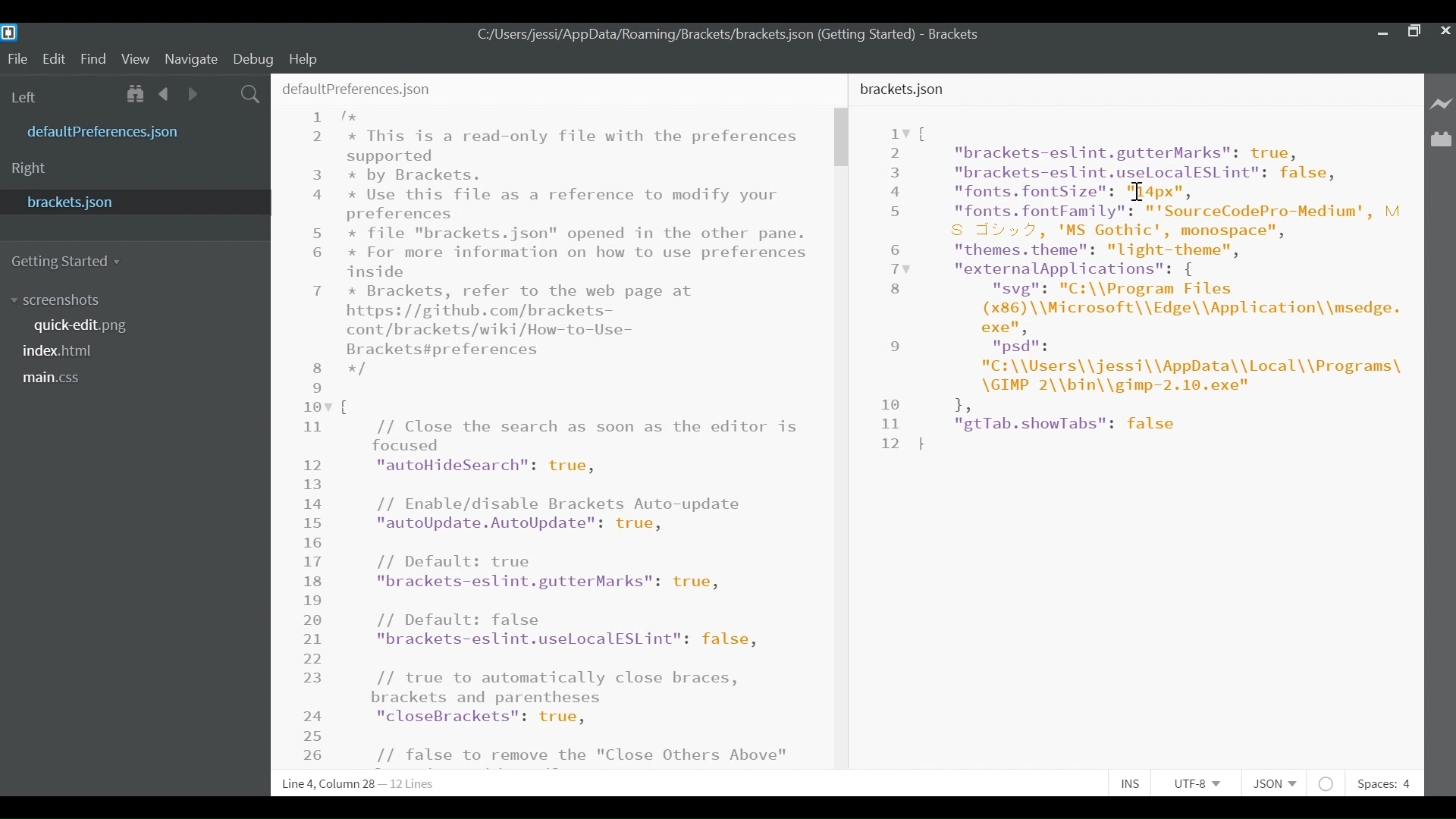  I want to click on INS, so click(1135, 783).